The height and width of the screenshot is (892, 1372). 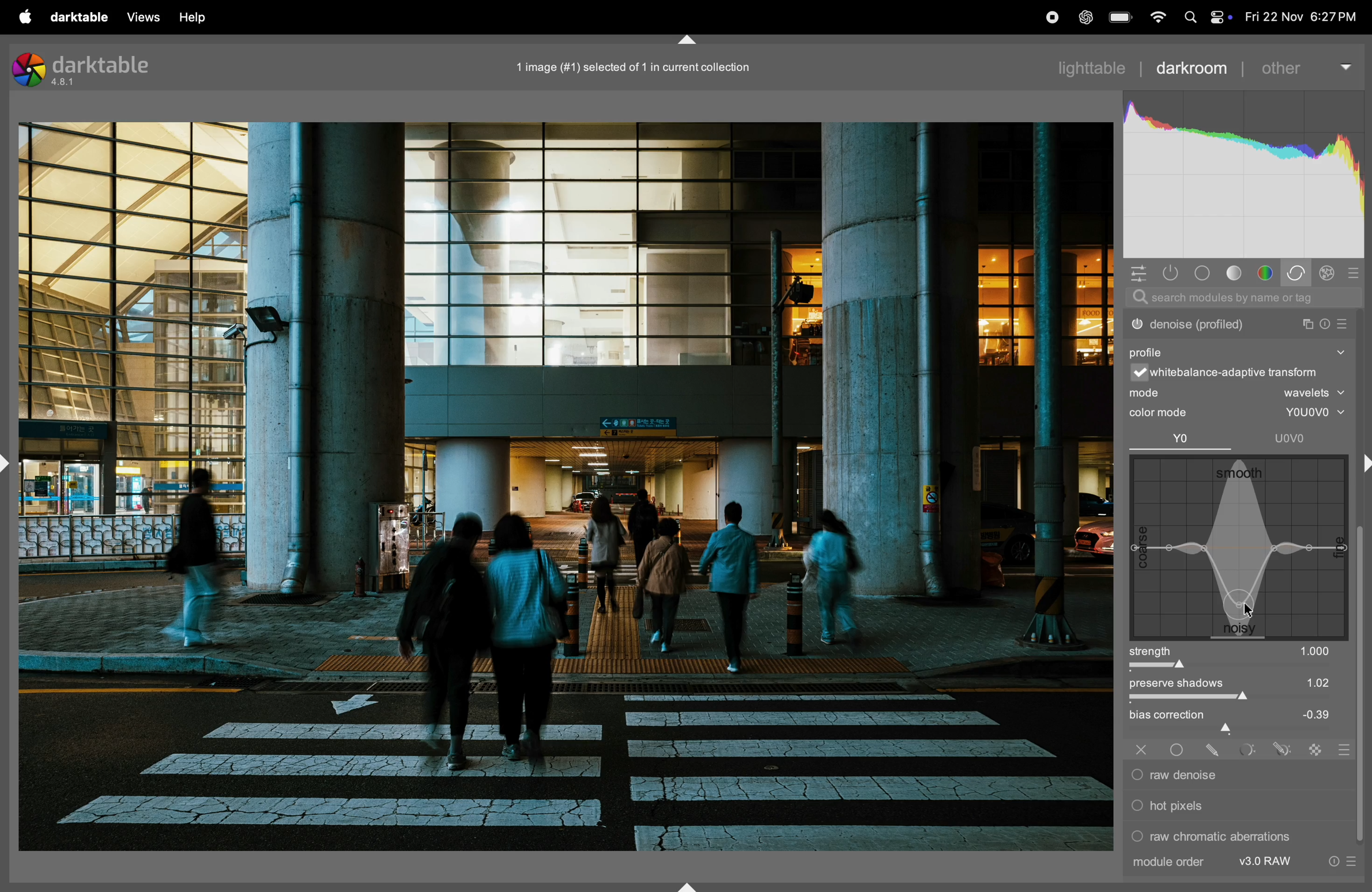 I want to click on lighttable, so click(x=1090, y=68).